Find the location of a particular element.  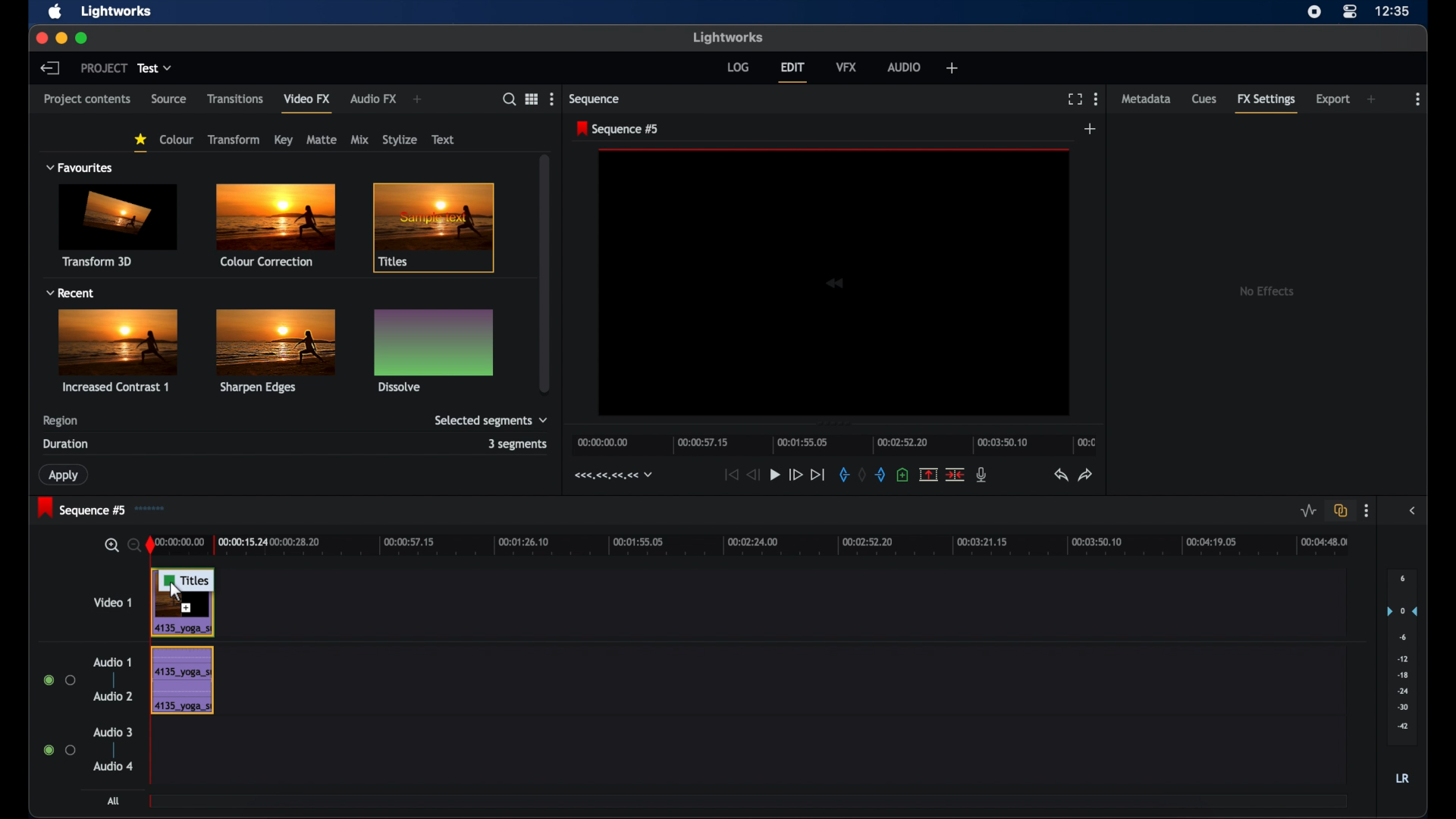

increased contrast1 is located at coordinates (121, 350).